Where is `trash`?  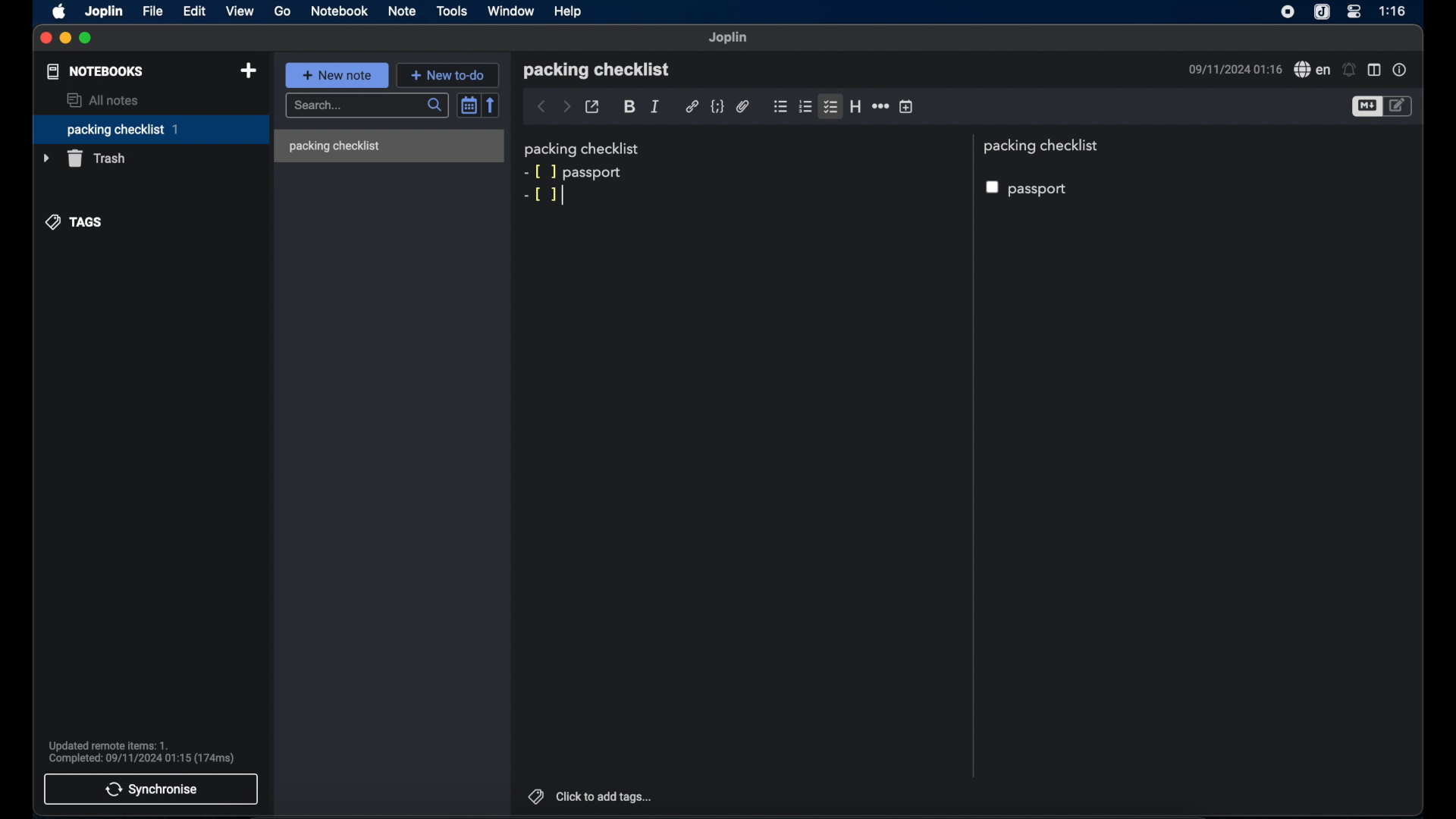 trash is located at coordinates (86, 158).